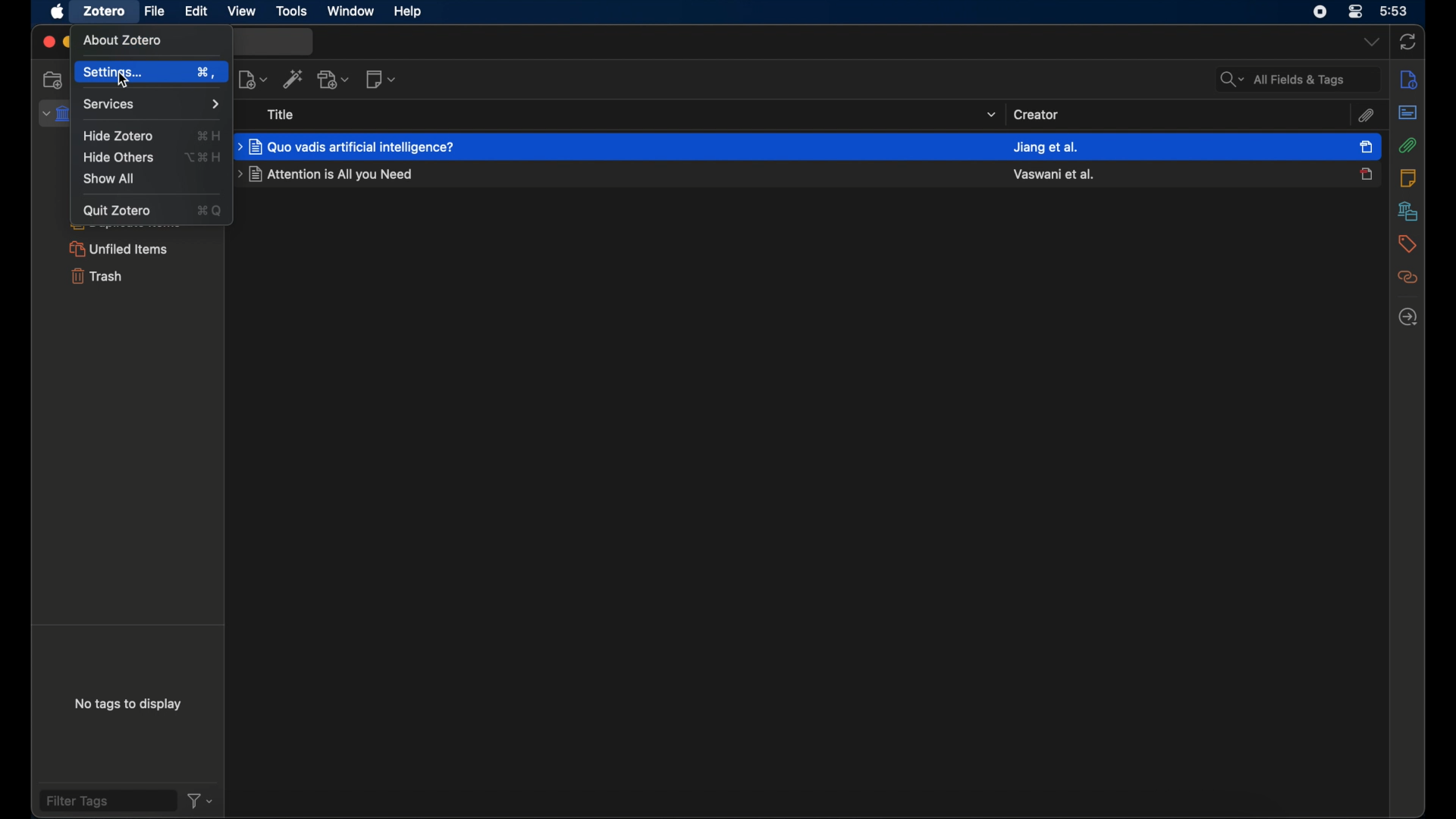  Describe the element at coordinates (118, 211) in the screenshot. I see `quit zotero` at that location.